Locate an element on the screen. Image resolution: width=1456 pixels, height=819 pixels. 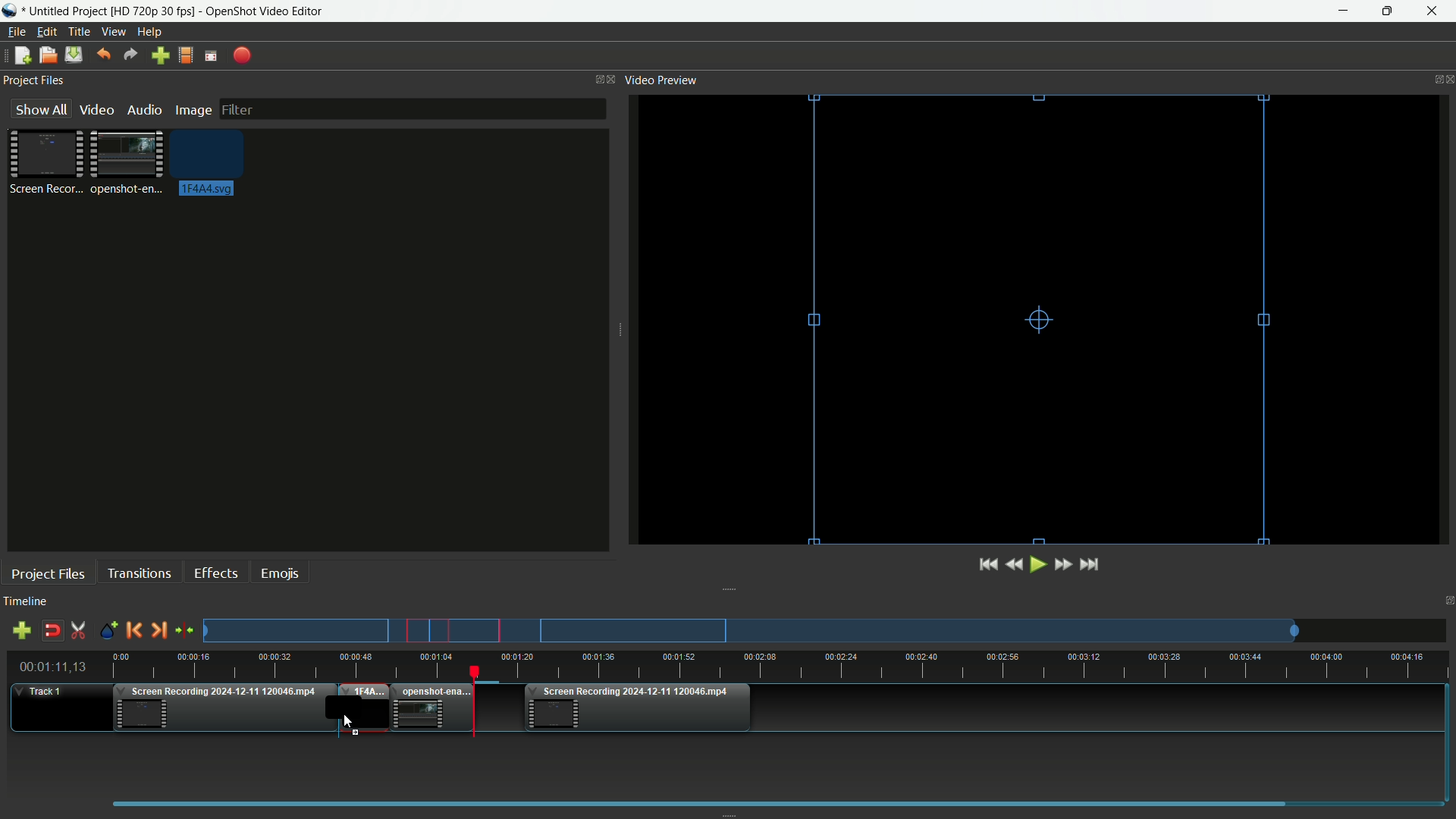
Effects is located at coordinates (215, 573).